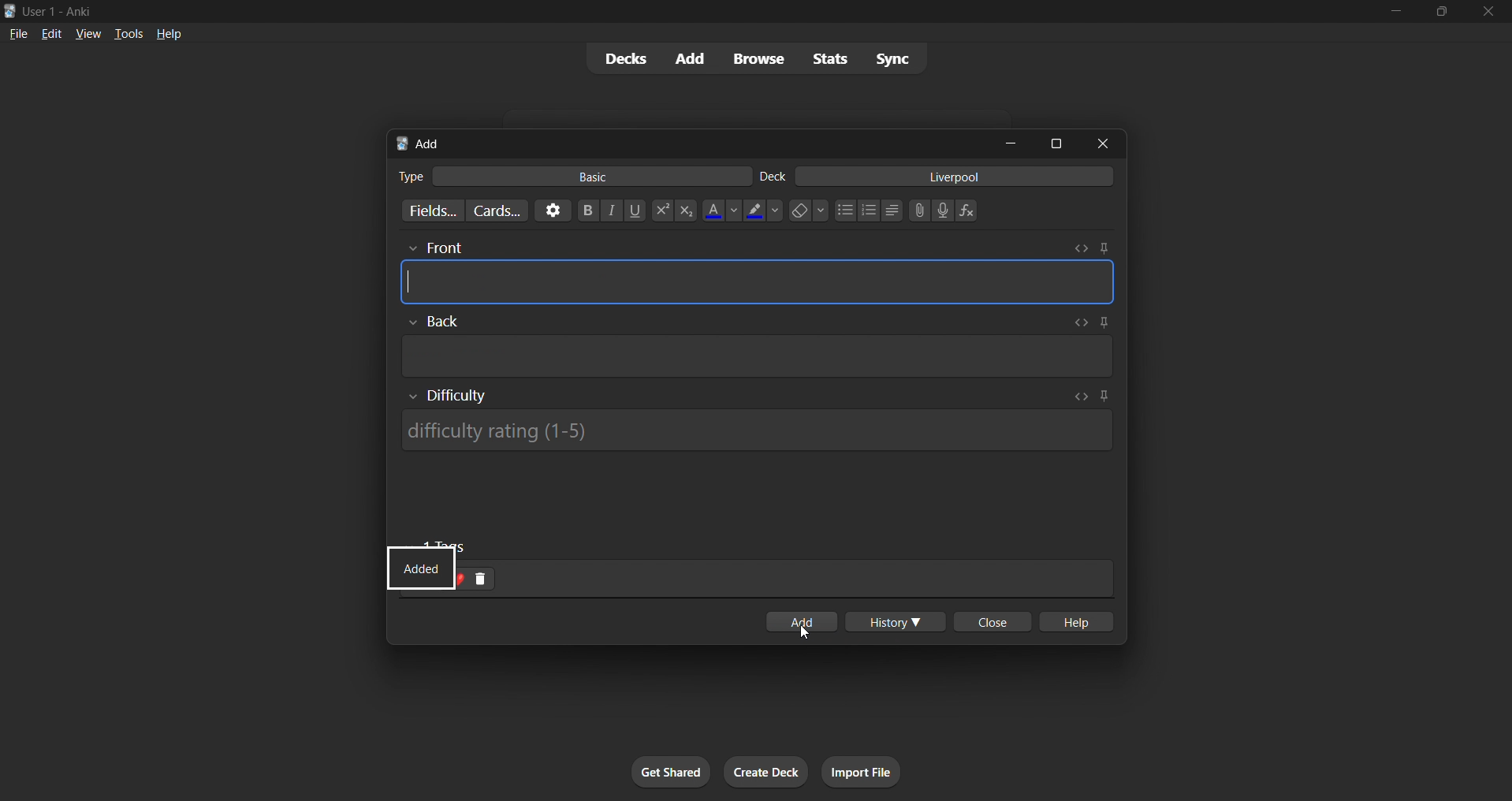 This screenshot has height=801, width=1512. What do you see at coordinates (763, 210) in the screenshot?
I see `text highlight color` at bounding box center [763, 210].